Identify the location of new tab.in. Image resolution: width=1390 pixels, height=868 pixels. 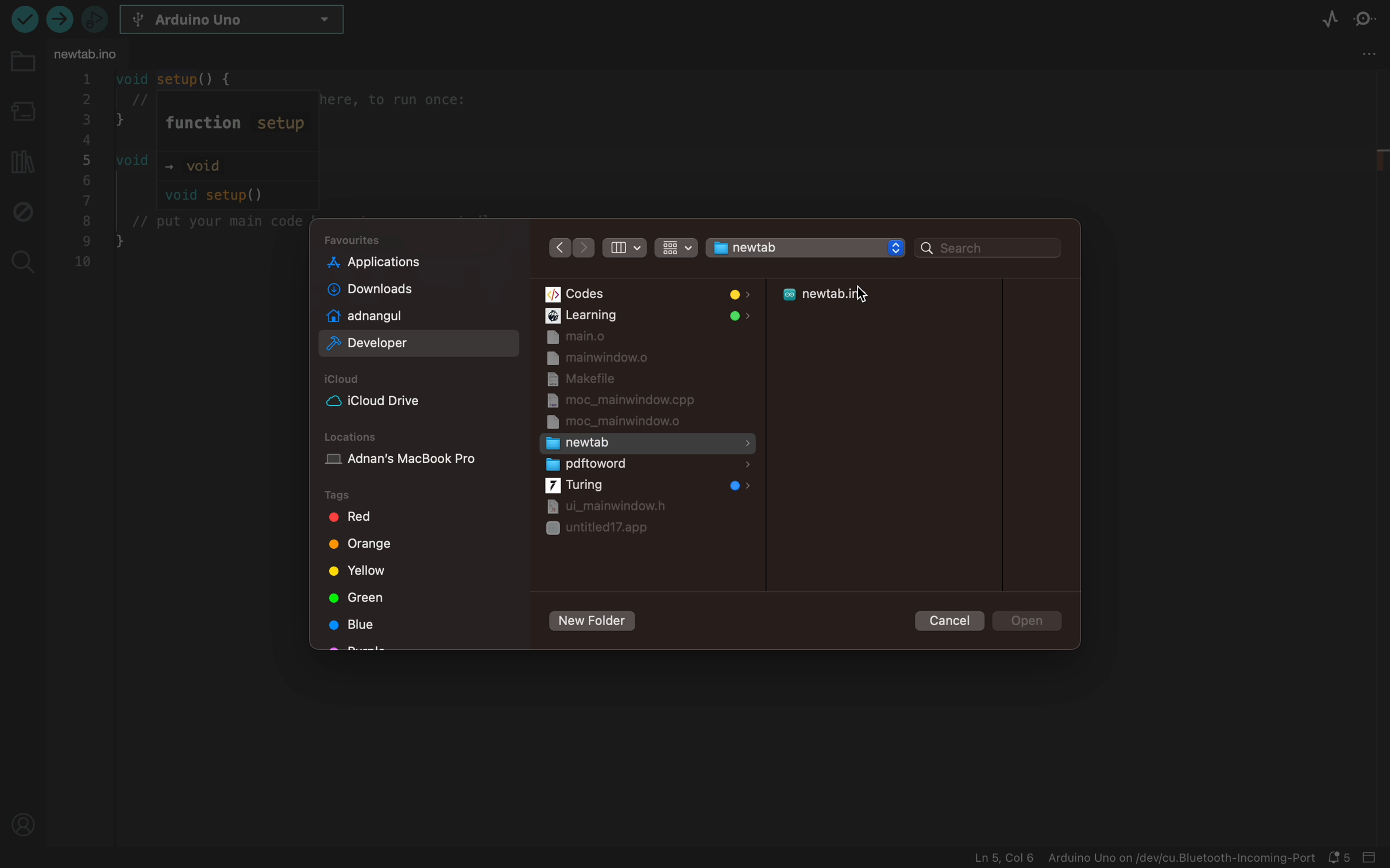
(837, 297).